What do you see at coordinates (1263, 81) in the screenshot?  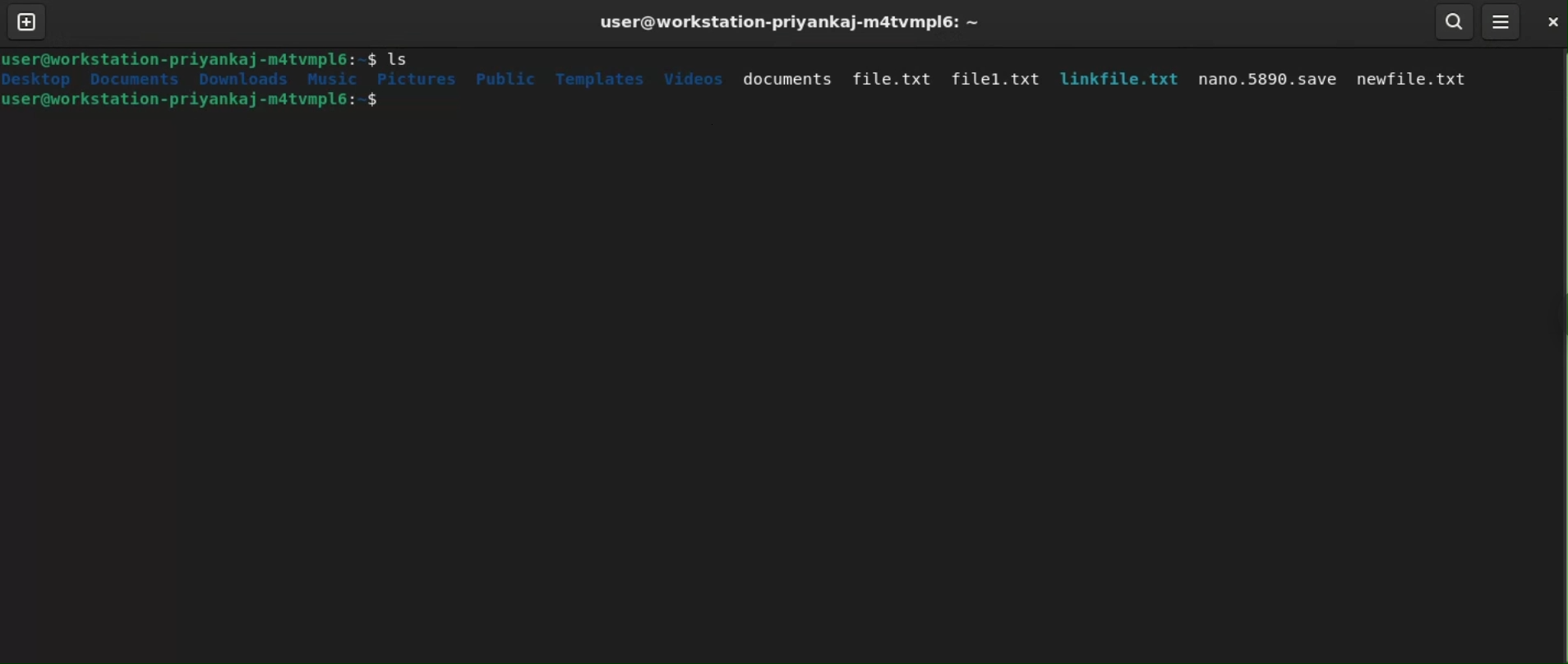 I see `nano.5890.save` at bounding box center [1263, 81].